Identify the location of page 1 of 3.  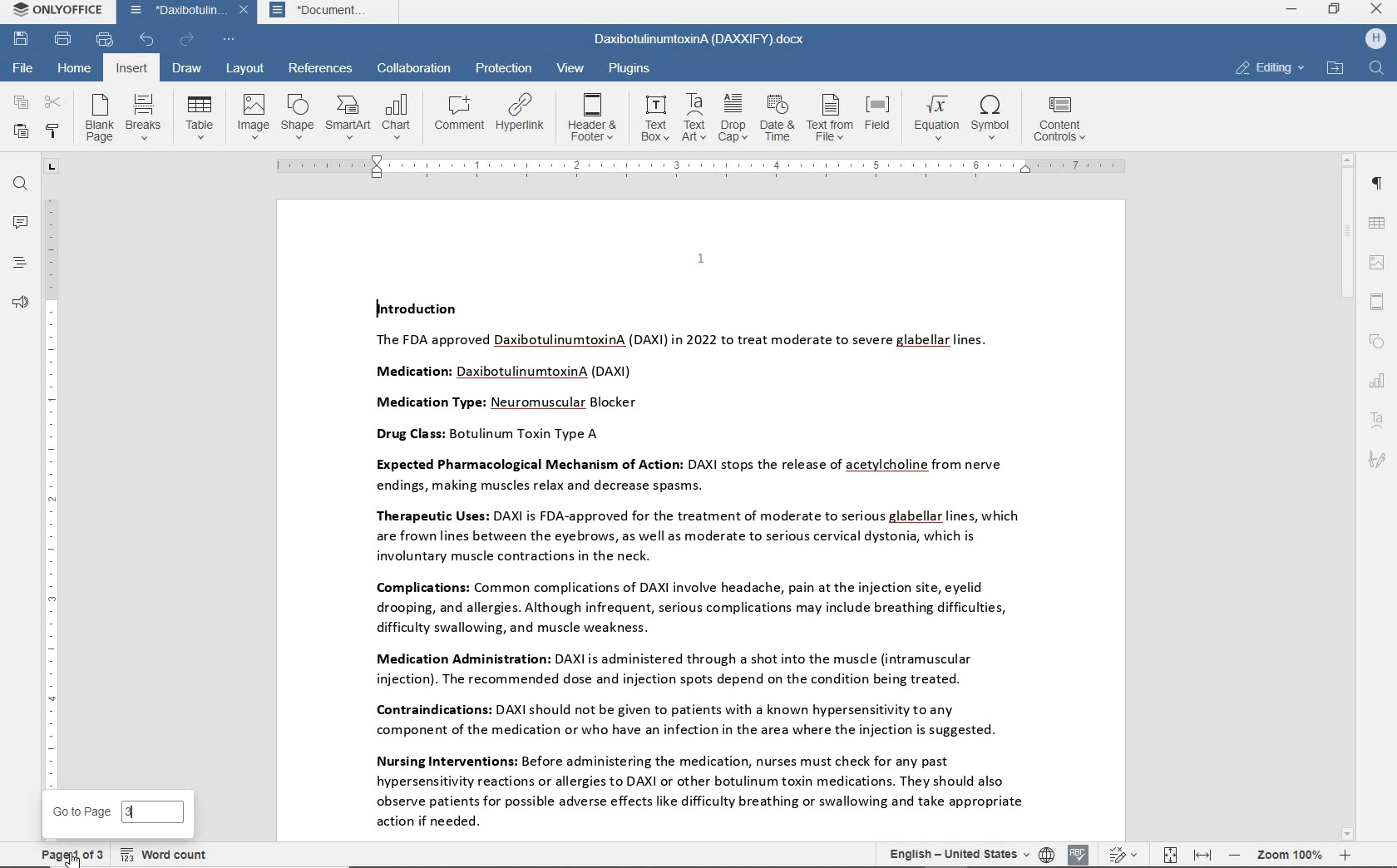
(68, 855).